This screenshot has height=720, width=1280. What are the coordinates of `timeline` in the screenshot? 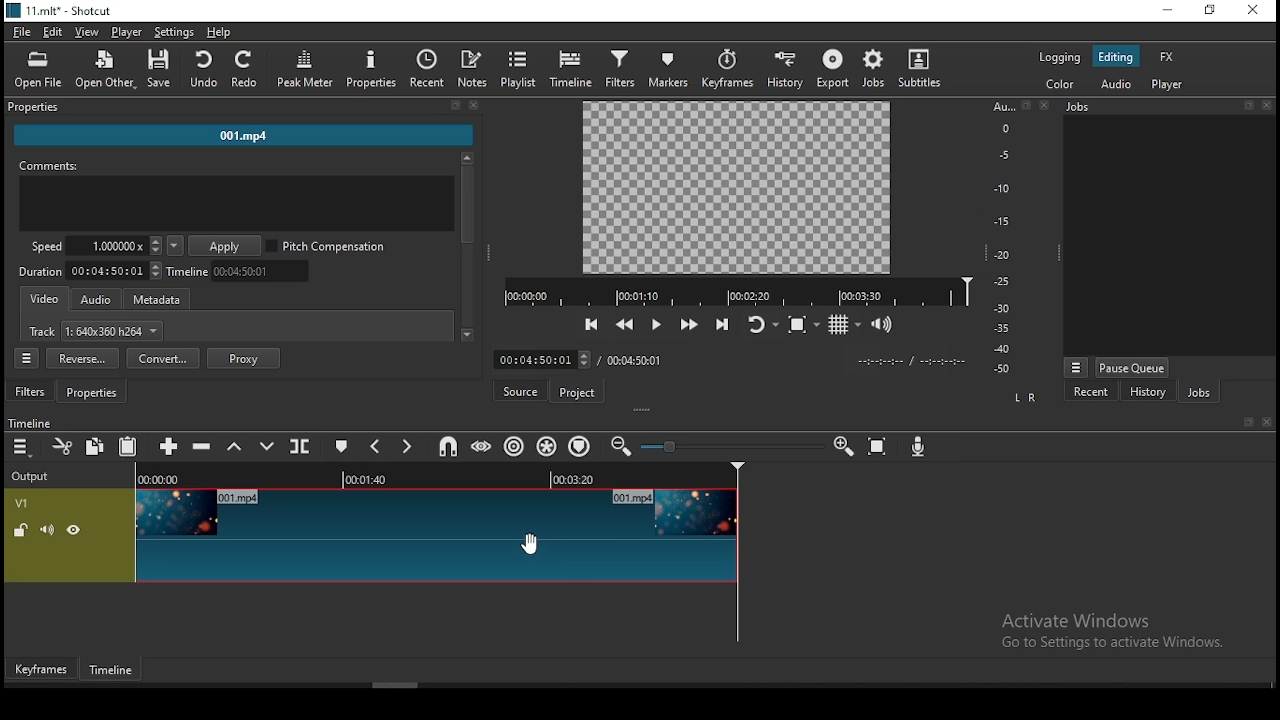 It's located at (115, 669).